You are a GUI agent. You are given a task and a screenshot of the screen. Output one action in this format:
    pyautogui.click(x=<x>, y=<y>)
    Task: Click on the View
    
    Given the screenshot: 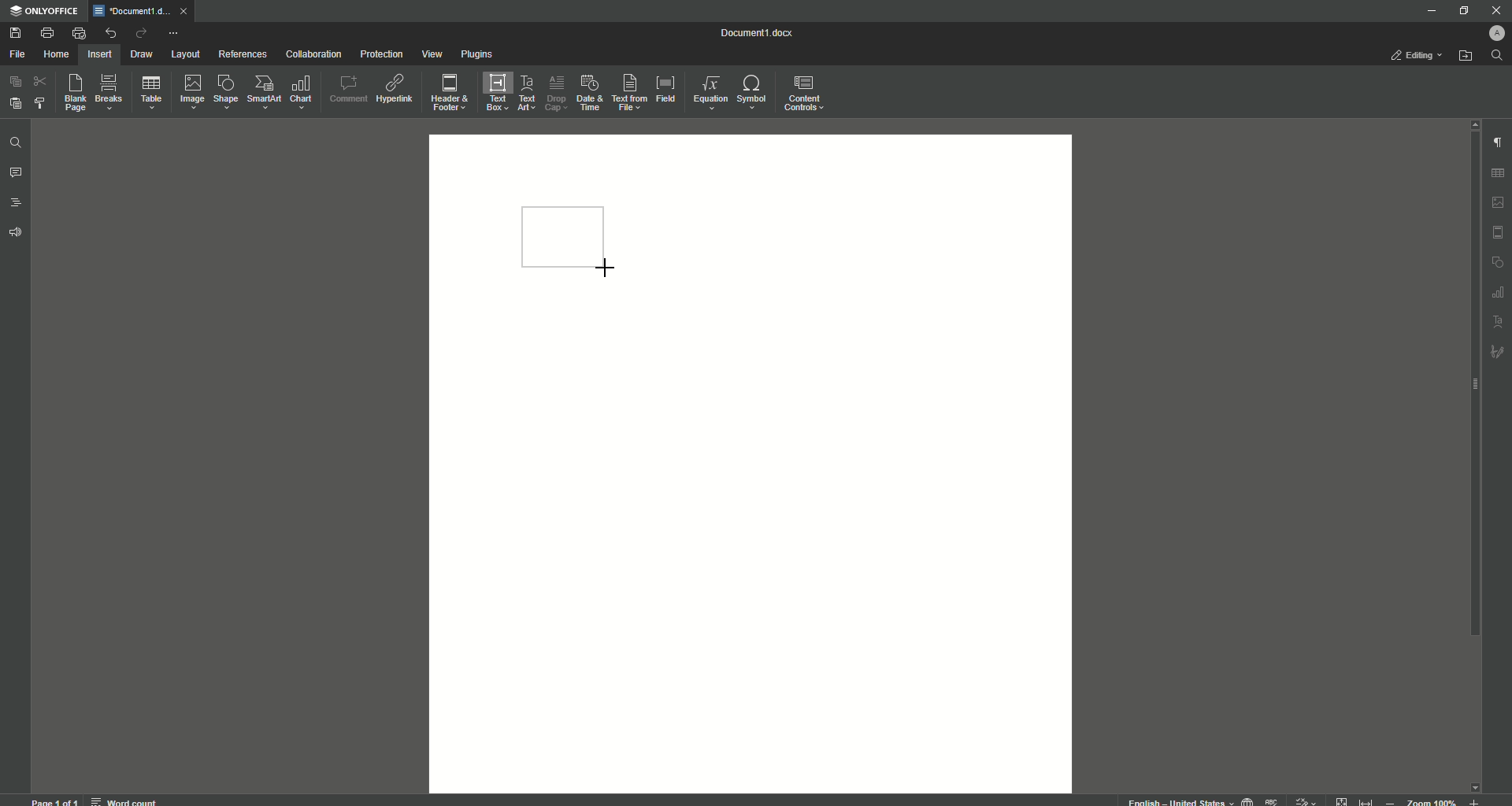 What is the action you would take?
    pyautogui.click(x=431, y=55)
    